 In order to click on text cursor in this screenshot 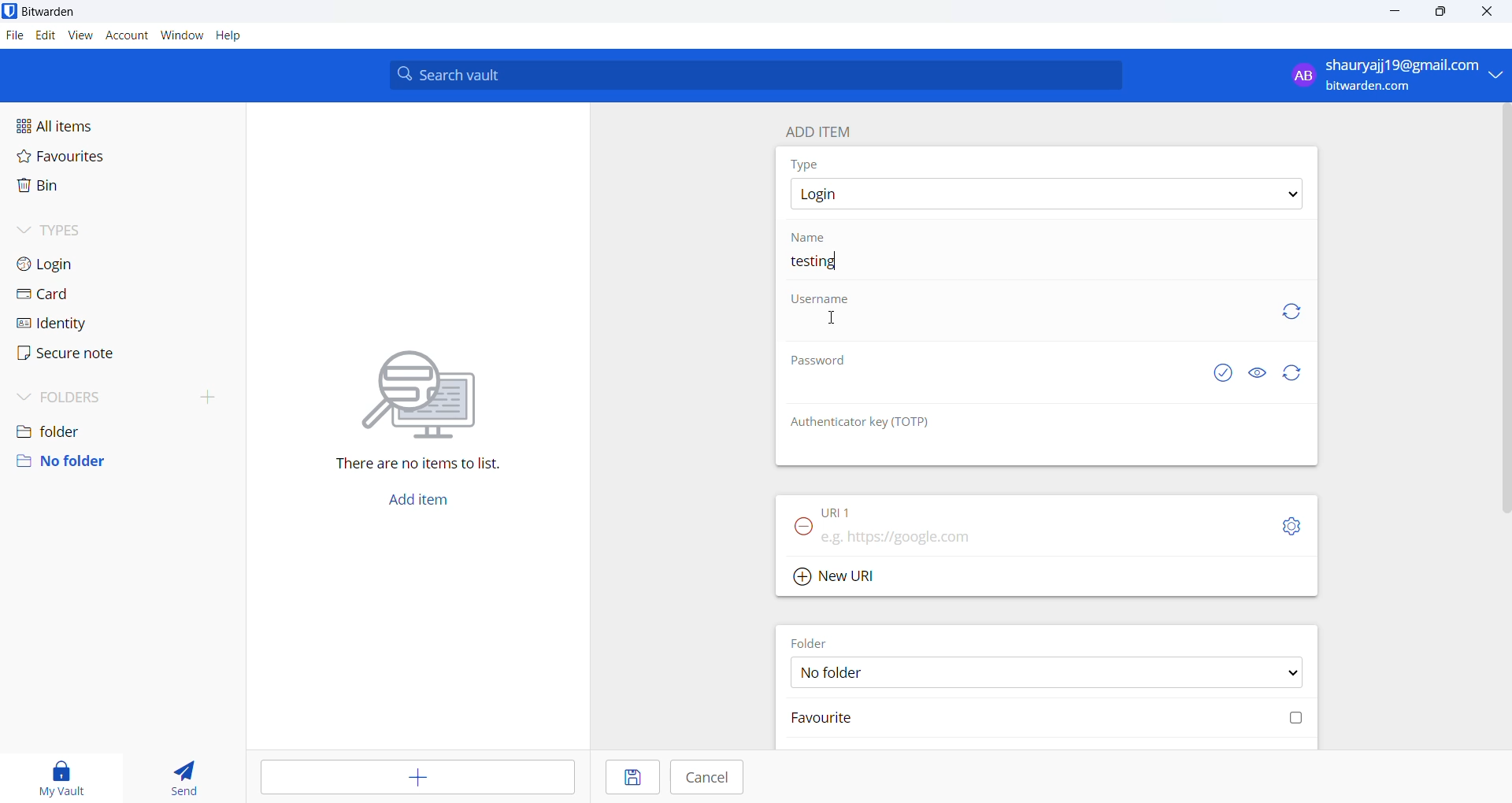, I will do `click(838, 267)`.